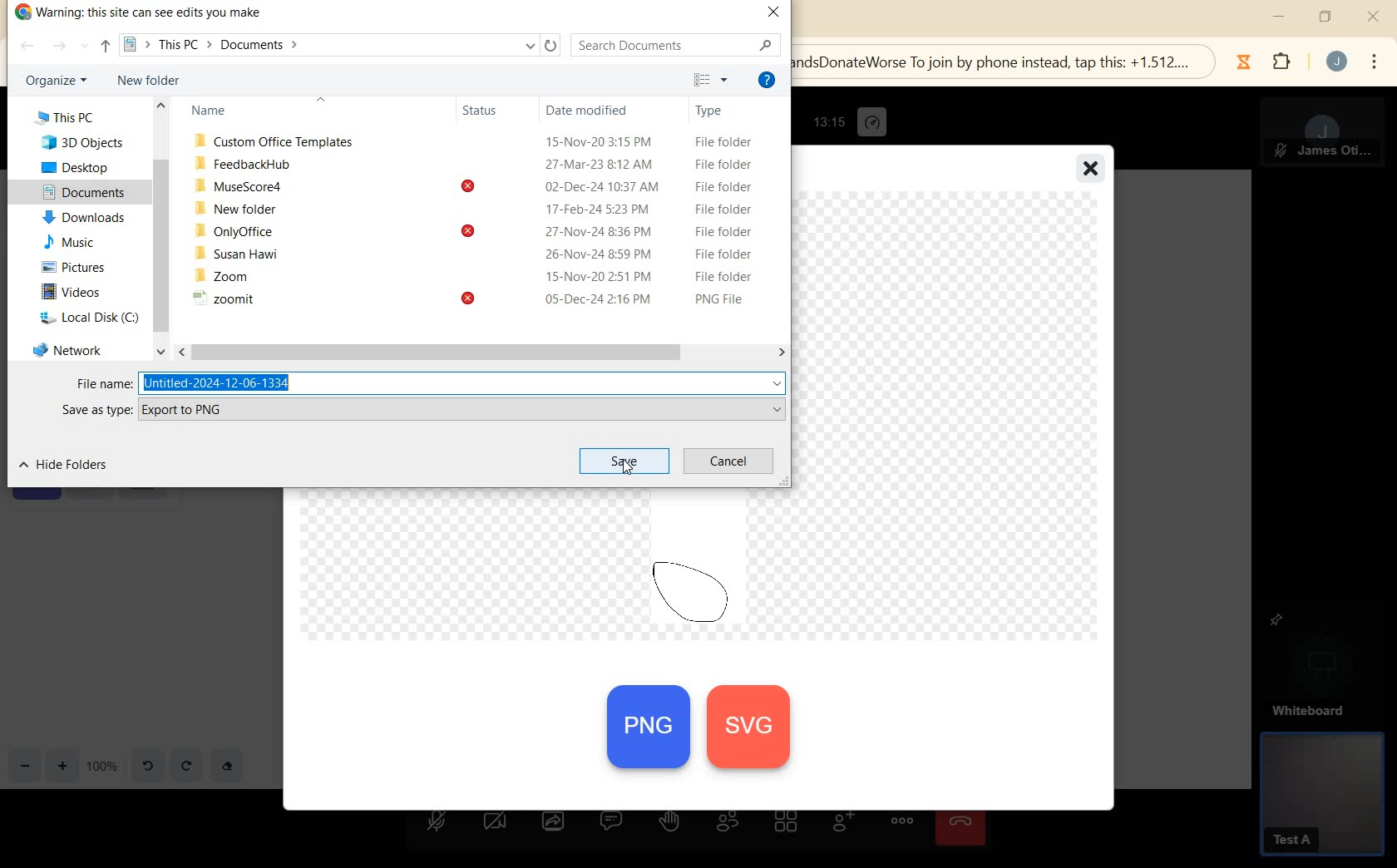 Image resolution: width=1397 pixels, height=868 pixels. Describe the element at coordinates (26, 45) in the screenshot. I see `BACK` at that location.